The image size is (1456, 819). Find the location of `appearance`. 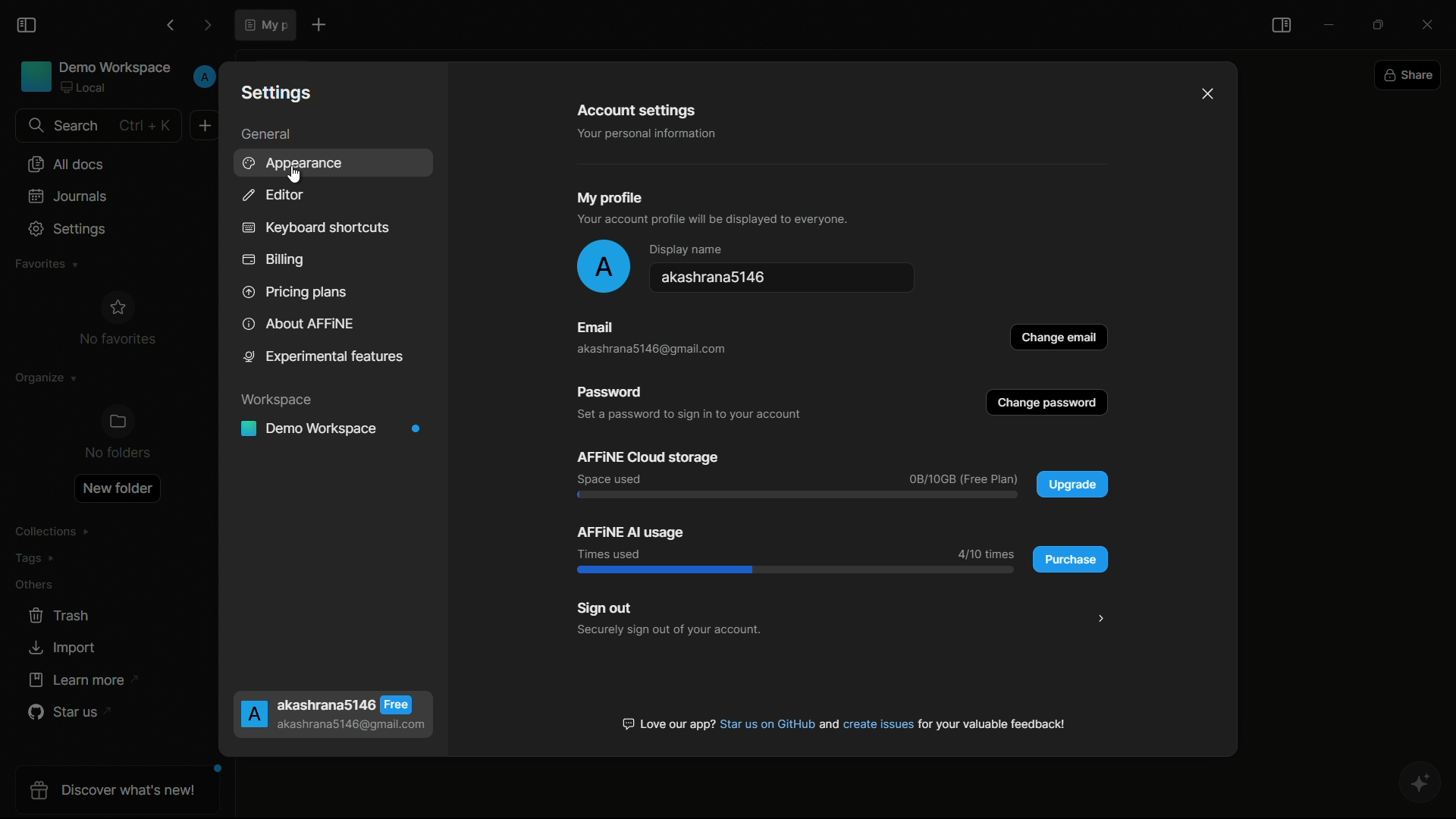

appearance is located at coordinates (297, 164).